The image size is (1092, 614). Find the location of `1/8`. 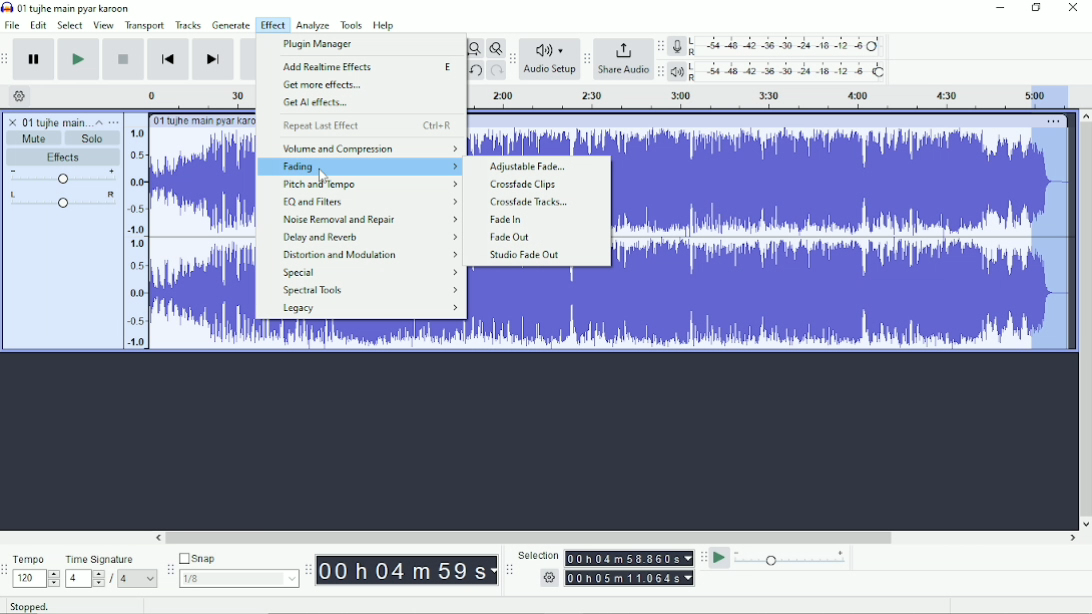

1/8 is located at coordinates (241, 578).